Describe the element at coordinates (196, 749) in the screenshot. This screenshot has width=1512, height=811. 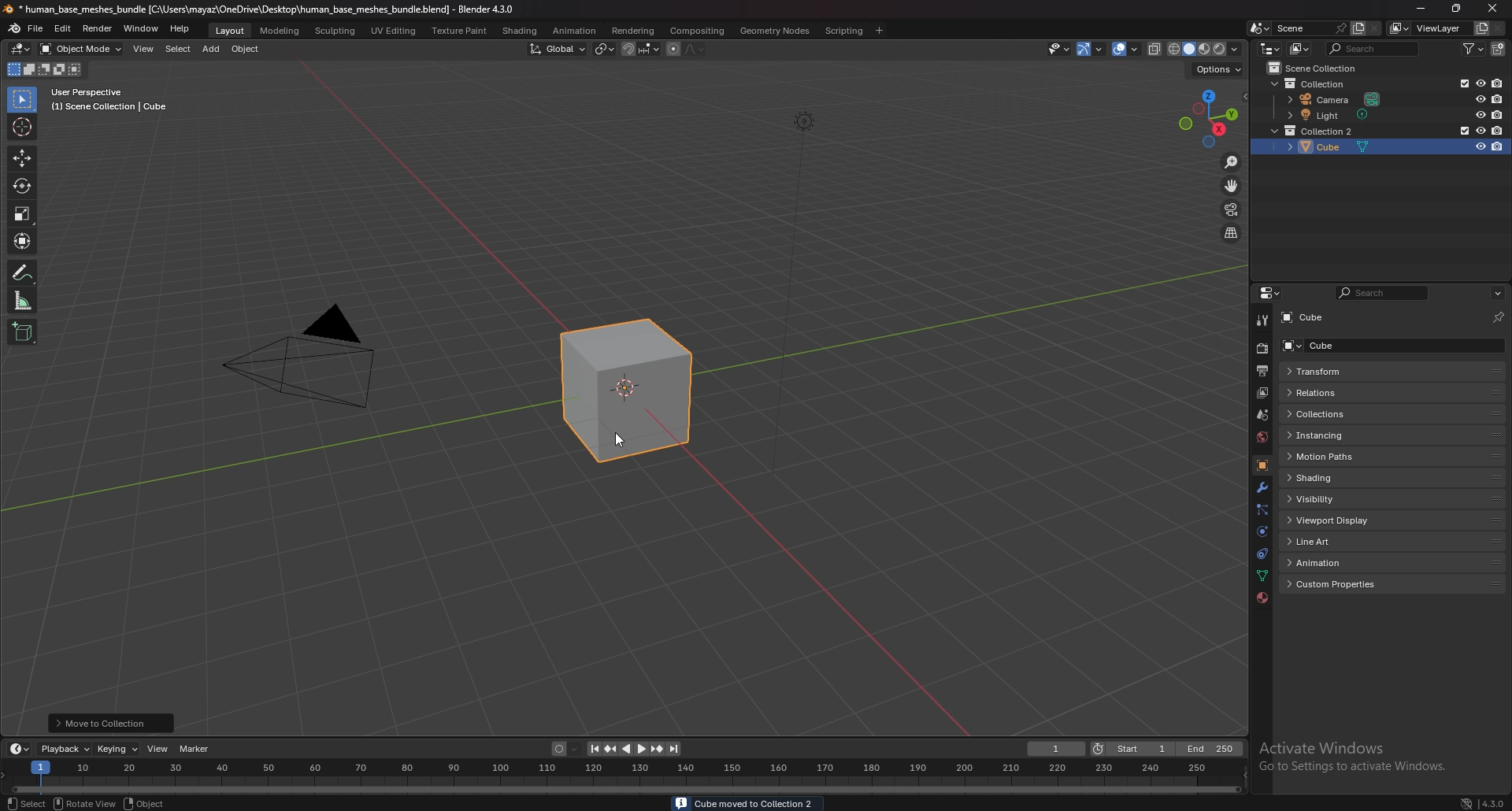
I see `marker` at that location.